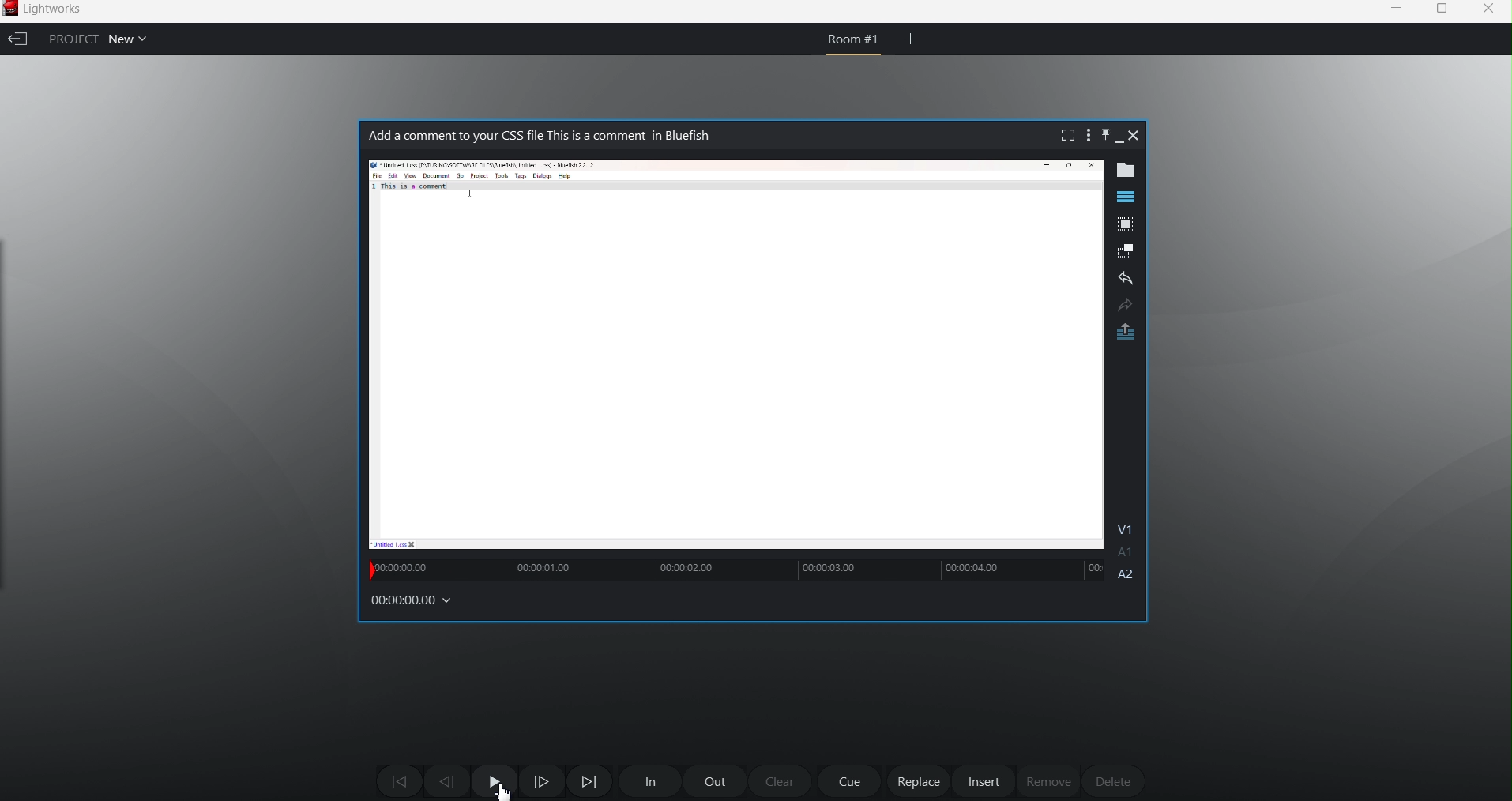 The width and height of the screenshot is (1512, 801). What do you see at coordinates (446, 783) in the screenshot?
I see `move one frame backward` at bounding box center [446, 783].